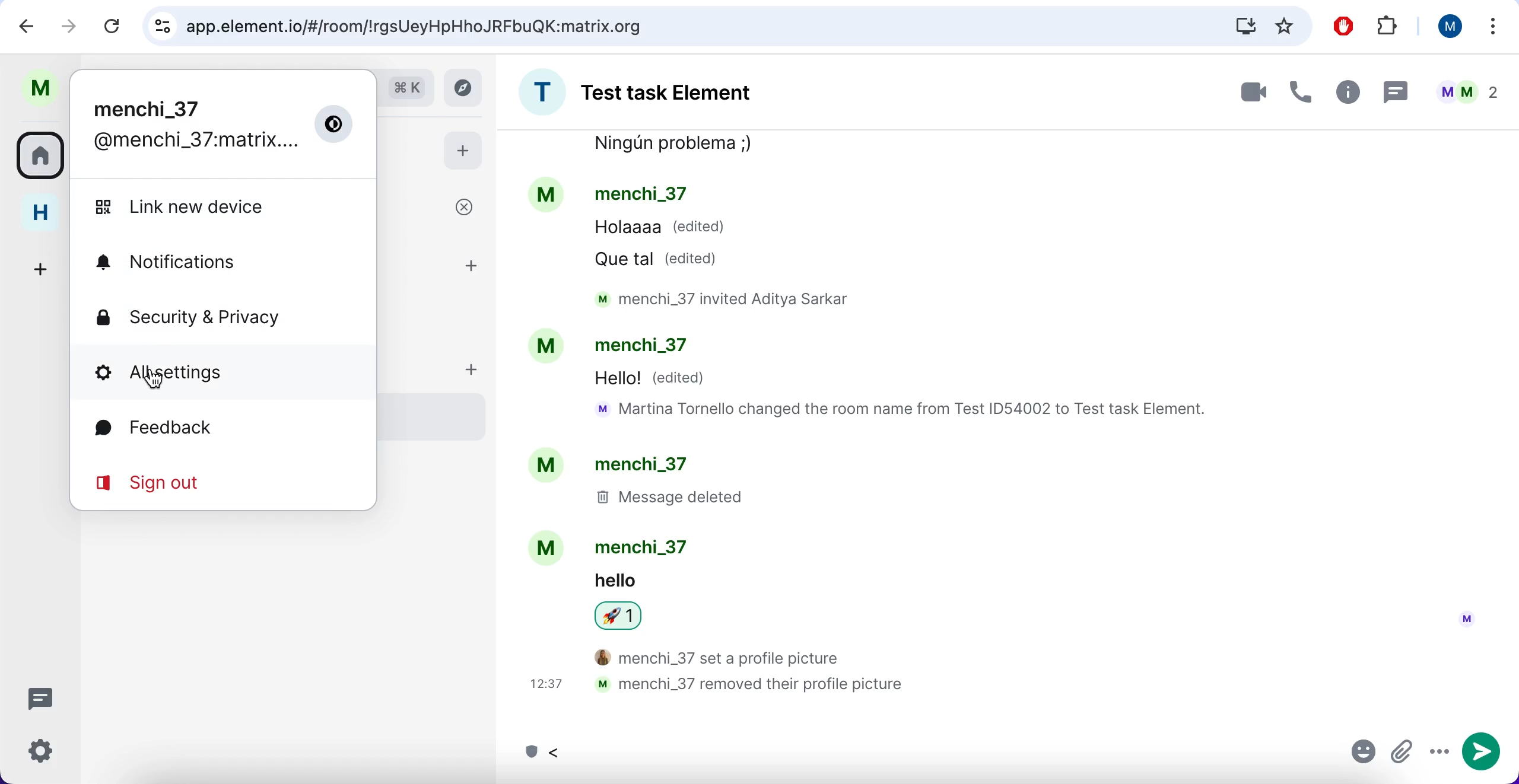 The height and width of the screenshot is (784, 1519). I want to click on attachments, so click(1403, 753).